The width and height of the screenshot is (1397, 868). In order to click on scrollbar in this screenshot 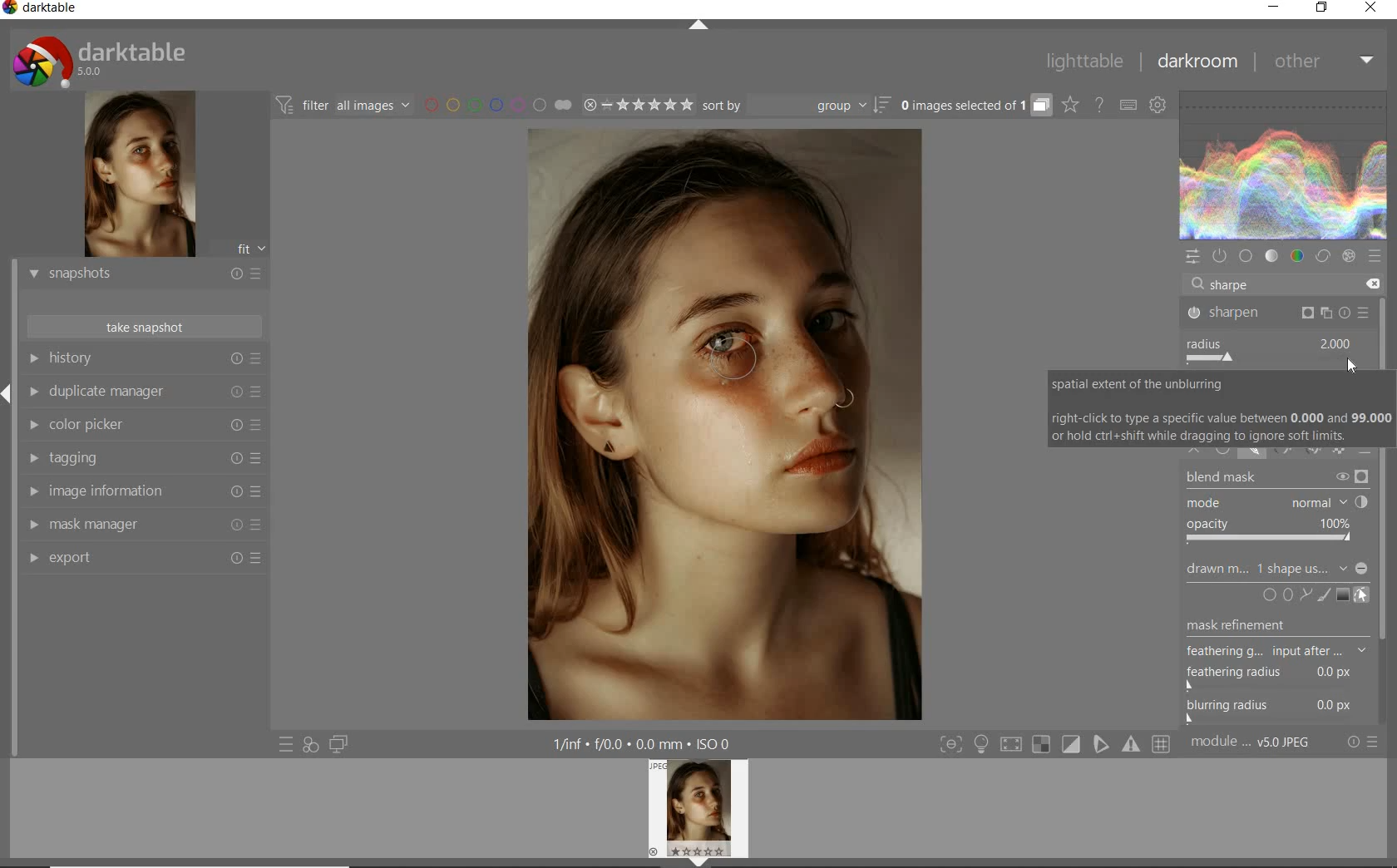, I will do `click(1387, 510)`.